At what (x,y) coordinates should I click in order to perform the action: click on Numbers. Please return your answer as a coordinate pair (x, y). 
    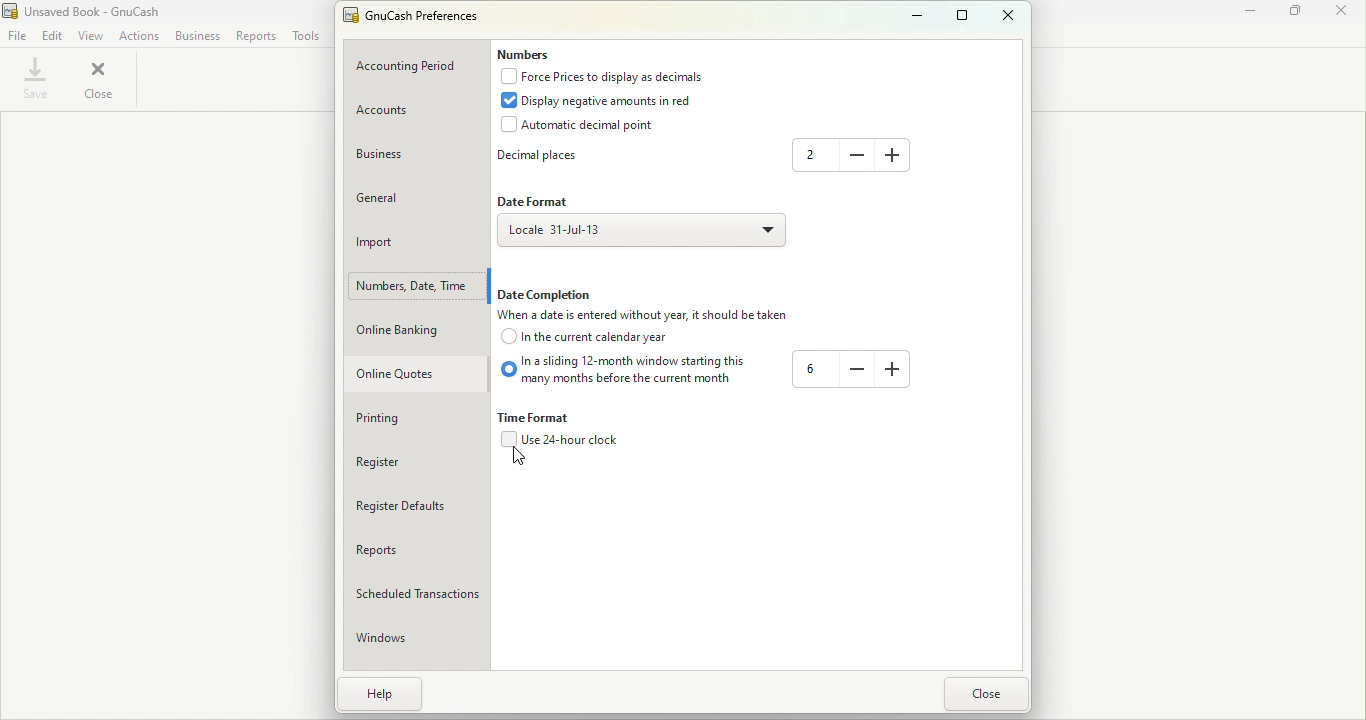
    Looking at the image, I should click on (528, 51).